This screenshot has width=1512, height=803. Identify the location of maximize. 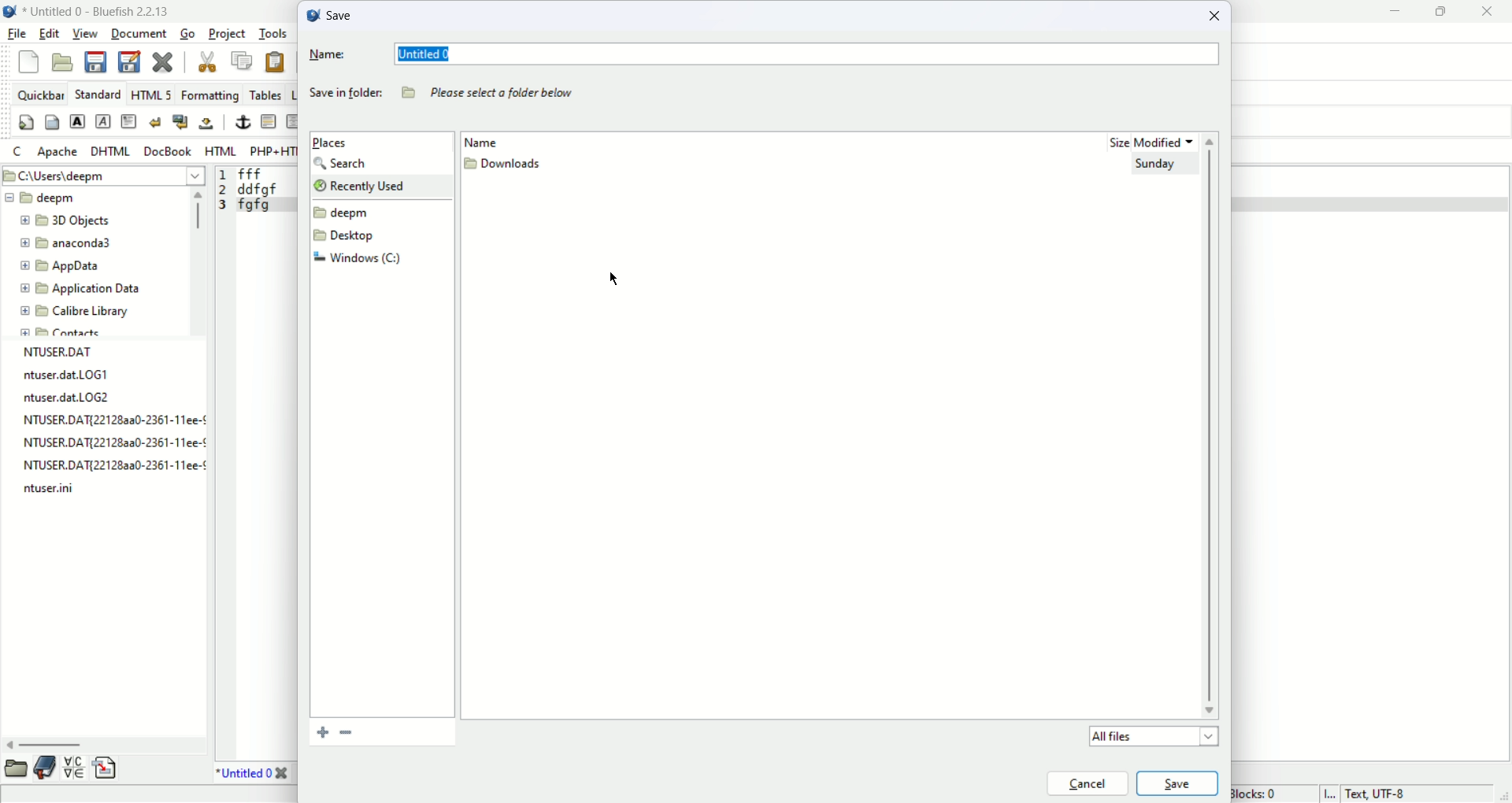
(1443, 13).